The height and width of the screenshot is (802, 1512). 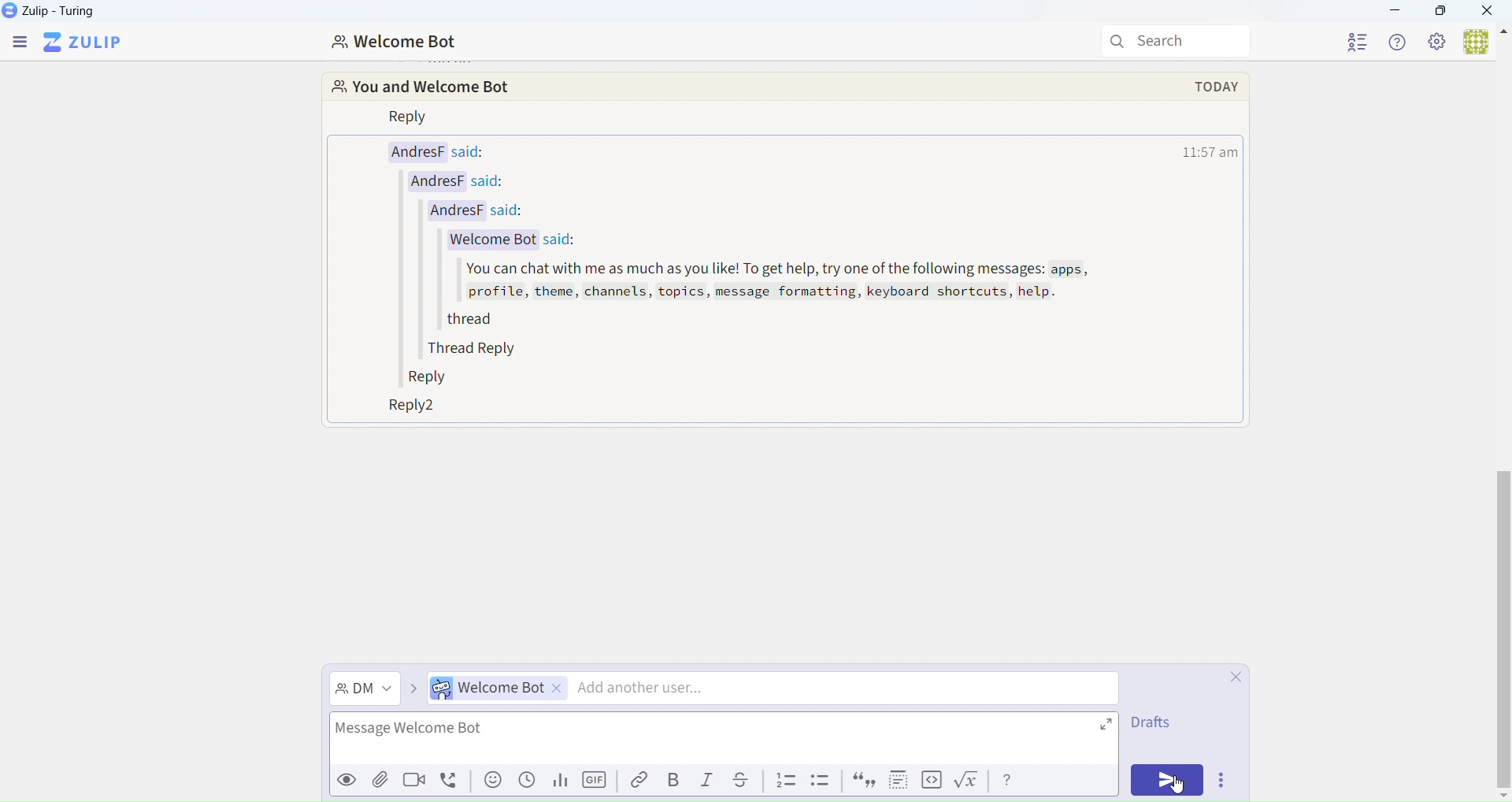 I want to click on Thread Reply, so click(x=473, y=351).